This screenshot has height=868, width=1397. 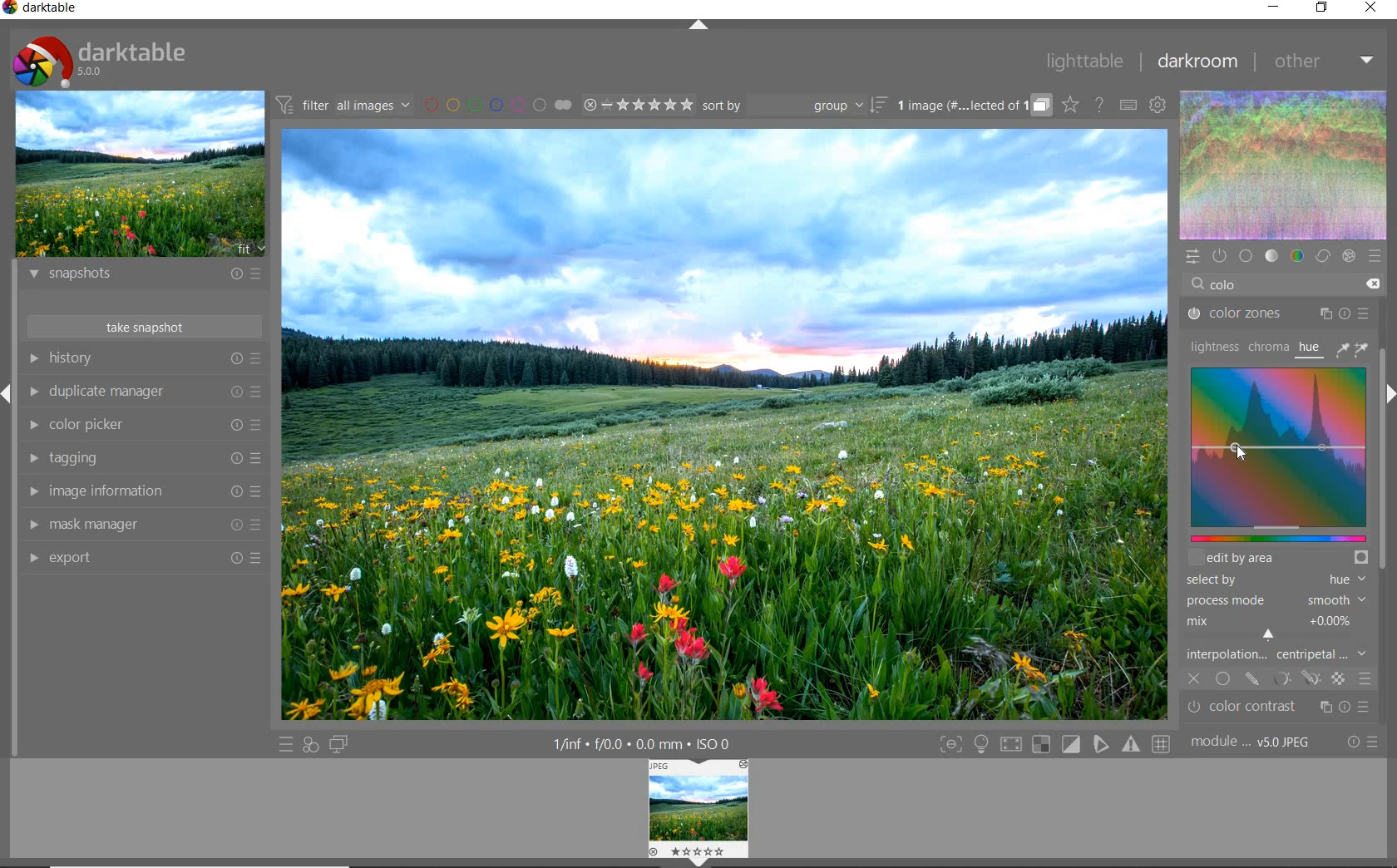 I want to click on uniformly, so click(x=1224, y=679).